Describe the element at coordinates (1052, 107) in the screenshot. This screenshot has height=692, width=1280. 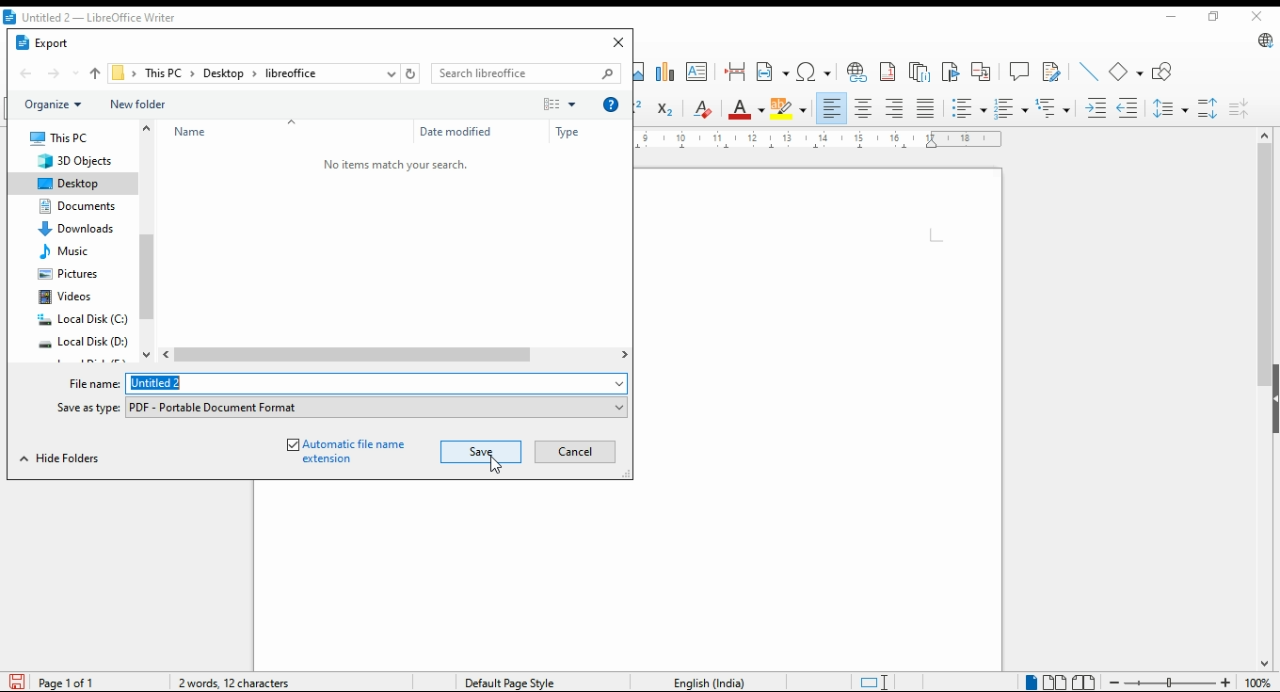
I see `select outline format` at that location.